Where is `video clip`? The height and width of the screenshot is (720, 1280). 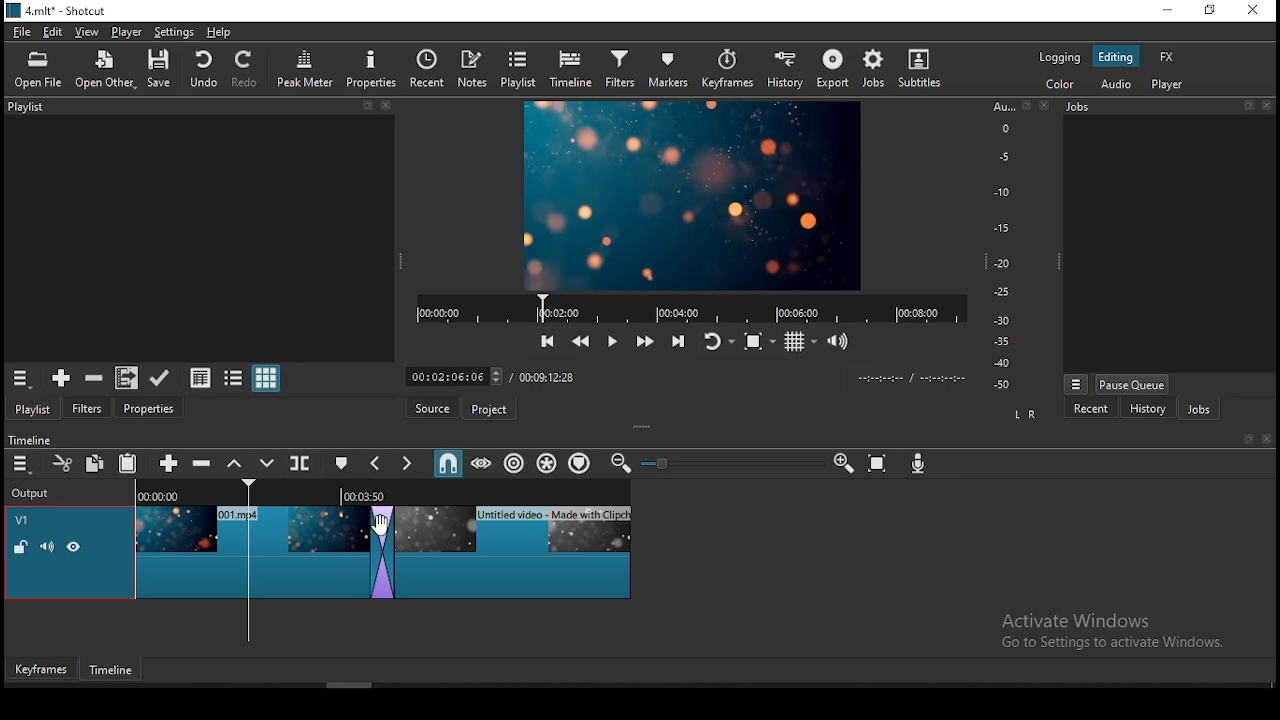 video clip is located at coordinates (251, 550).